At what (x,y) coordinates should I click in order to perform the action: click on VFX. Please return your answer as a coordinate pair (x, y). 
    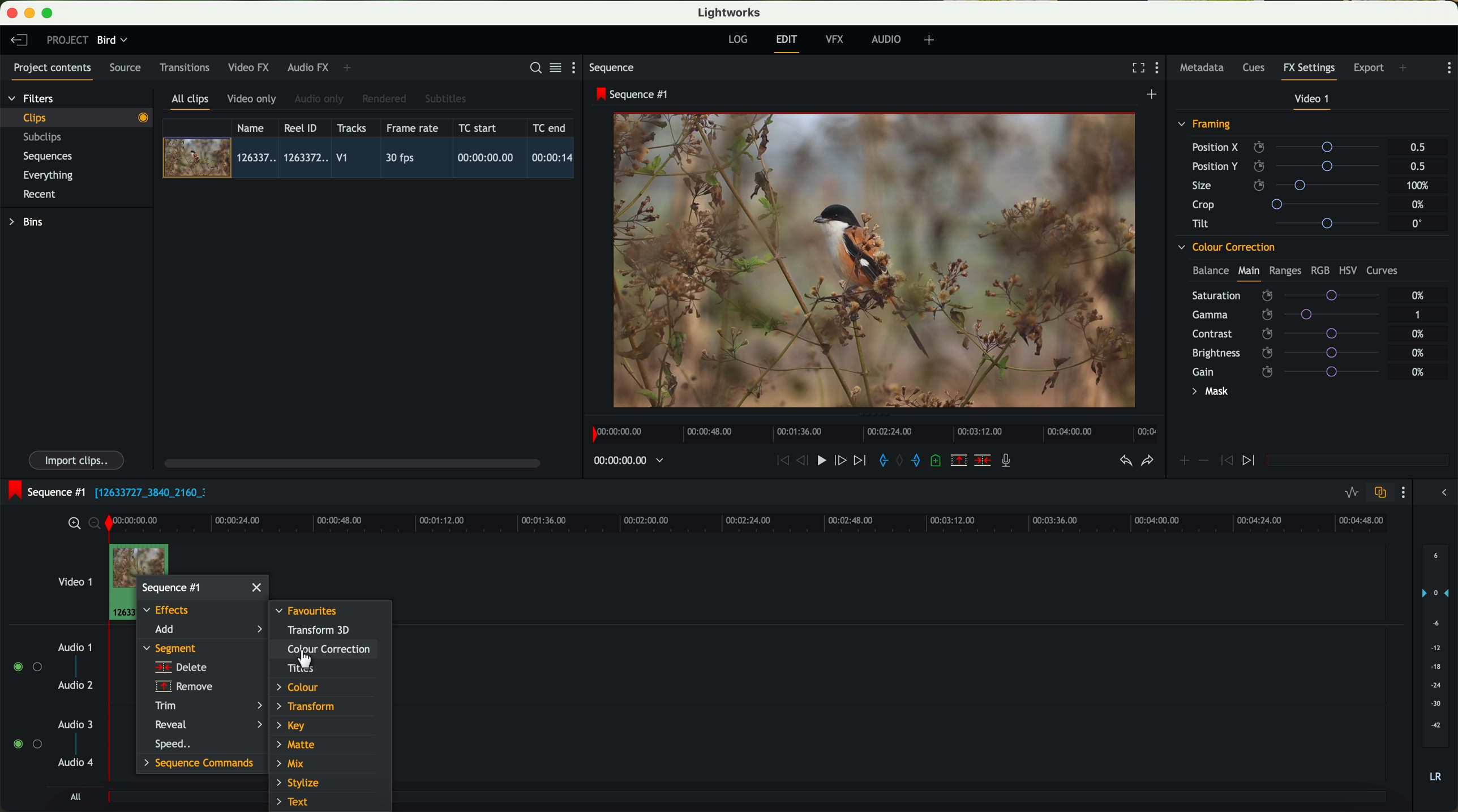
    Looking at the image, I should click on (837, 40).